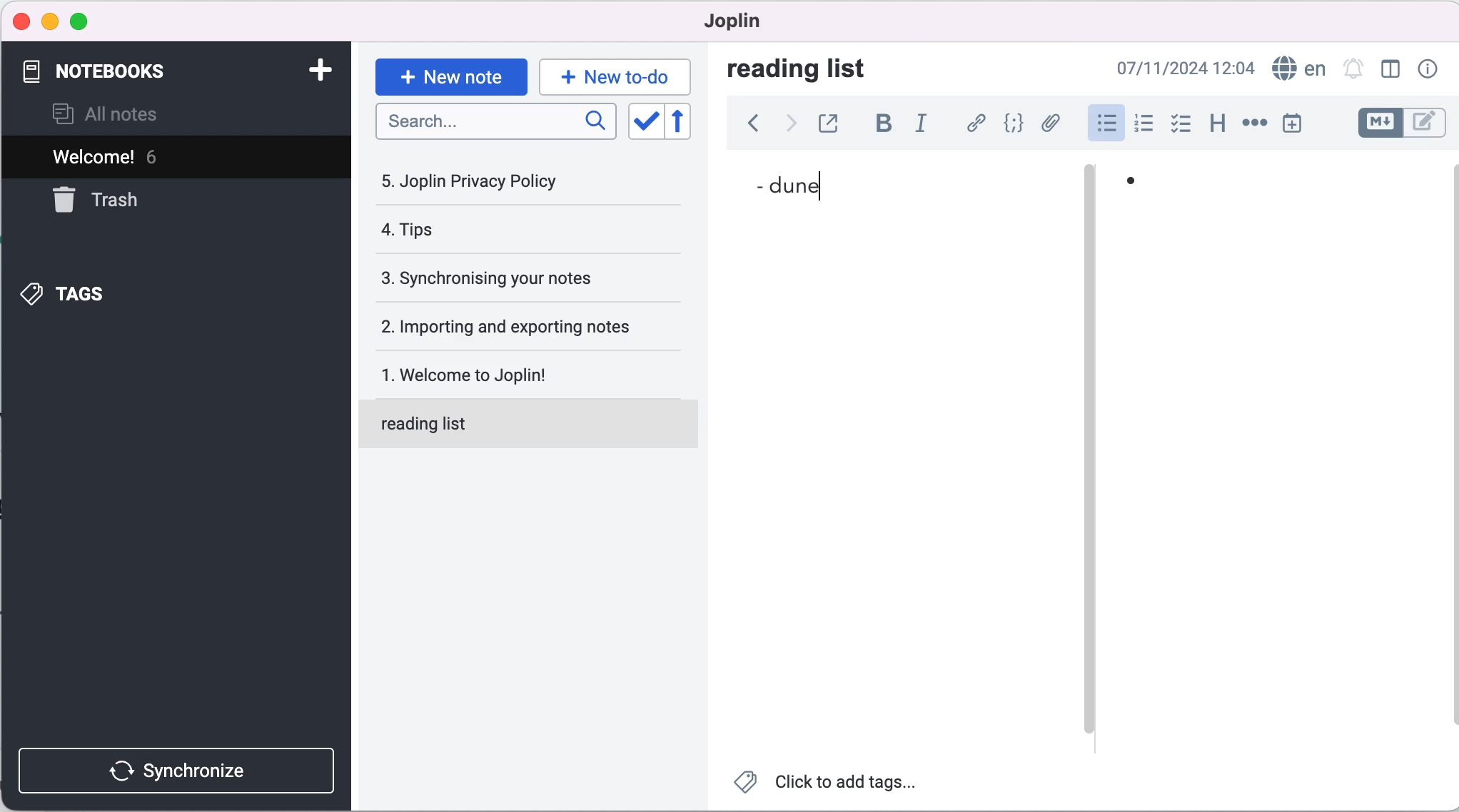 The image size is (1459, 812). Describe the element at coordinates (976, 123) in the screenshot. I see `hyperlink` at that location.